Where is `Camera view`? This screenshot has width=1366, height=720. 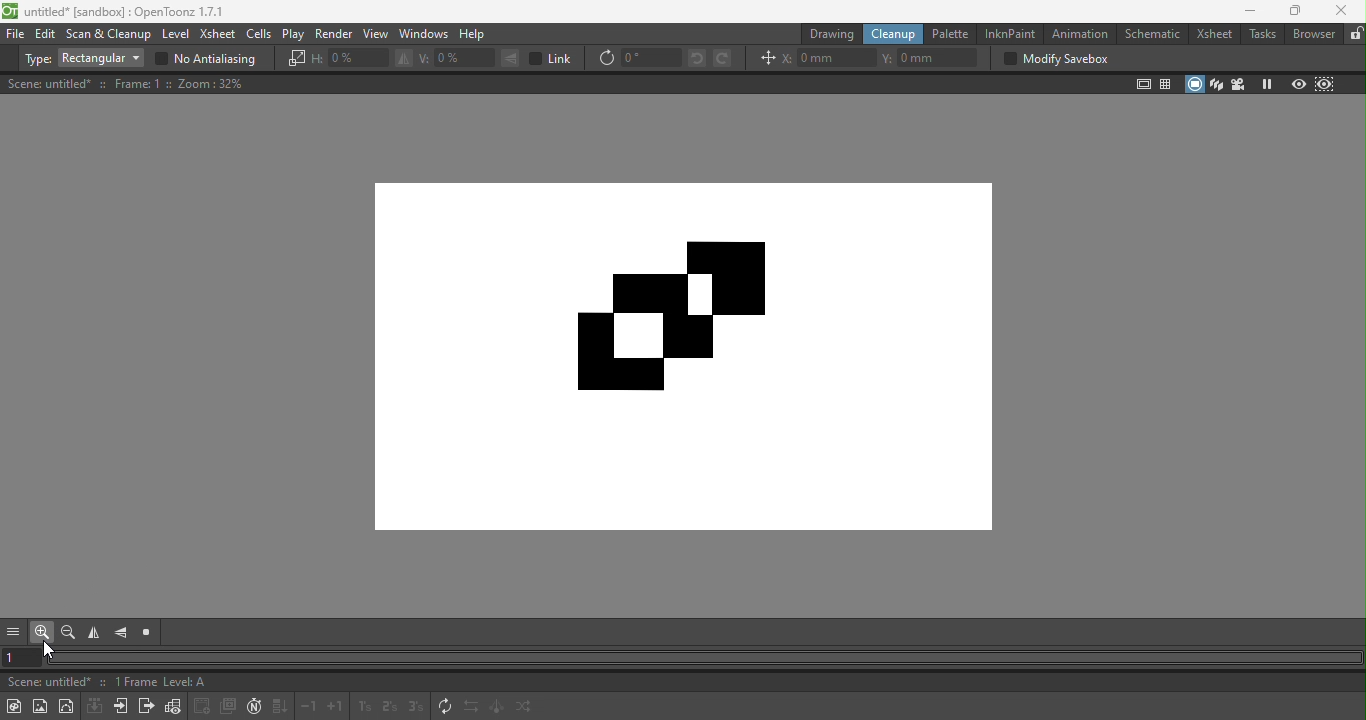 Camera view is located at coordinates (1238, 84).